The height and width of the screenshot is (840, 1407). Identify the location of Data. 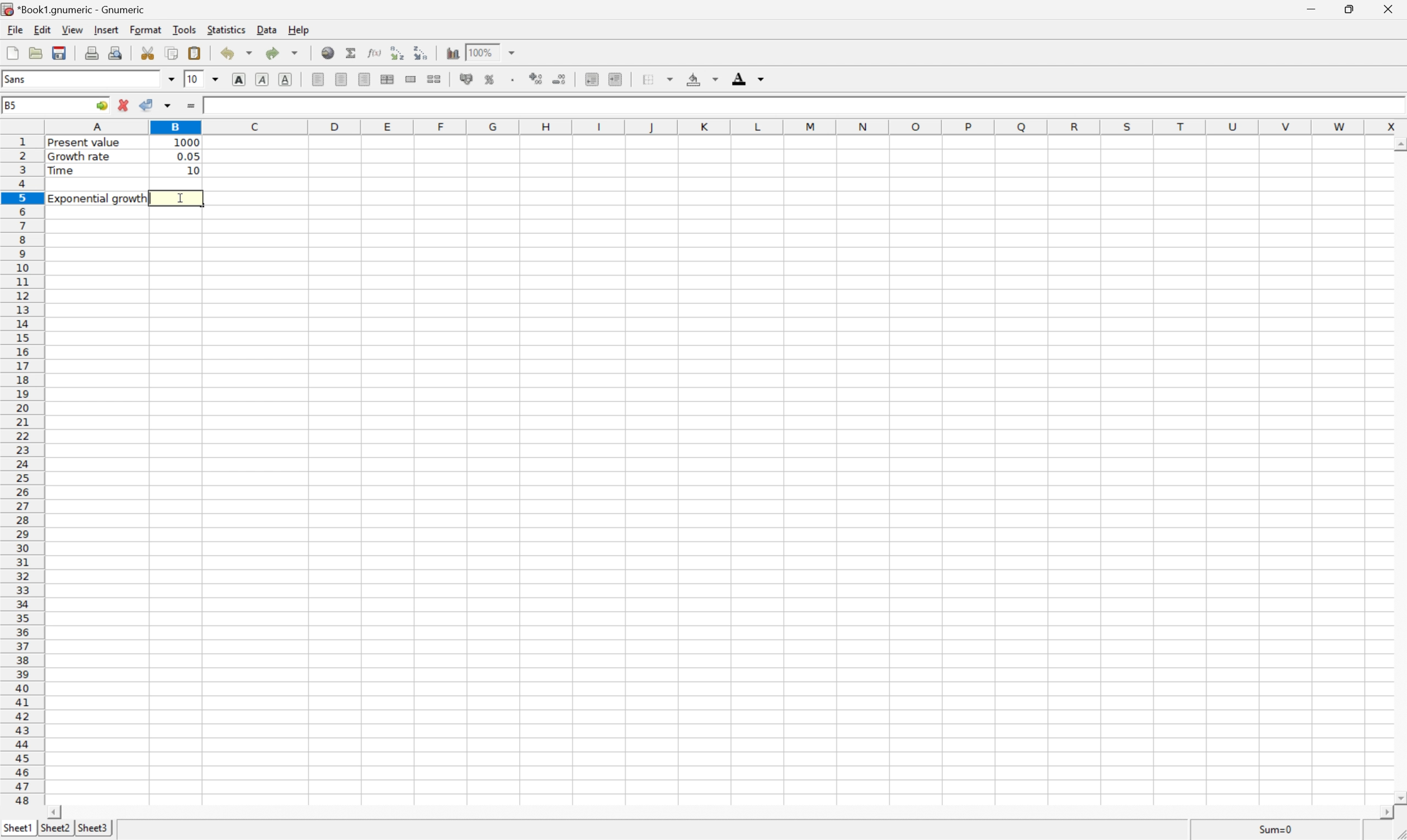
(267, 31).